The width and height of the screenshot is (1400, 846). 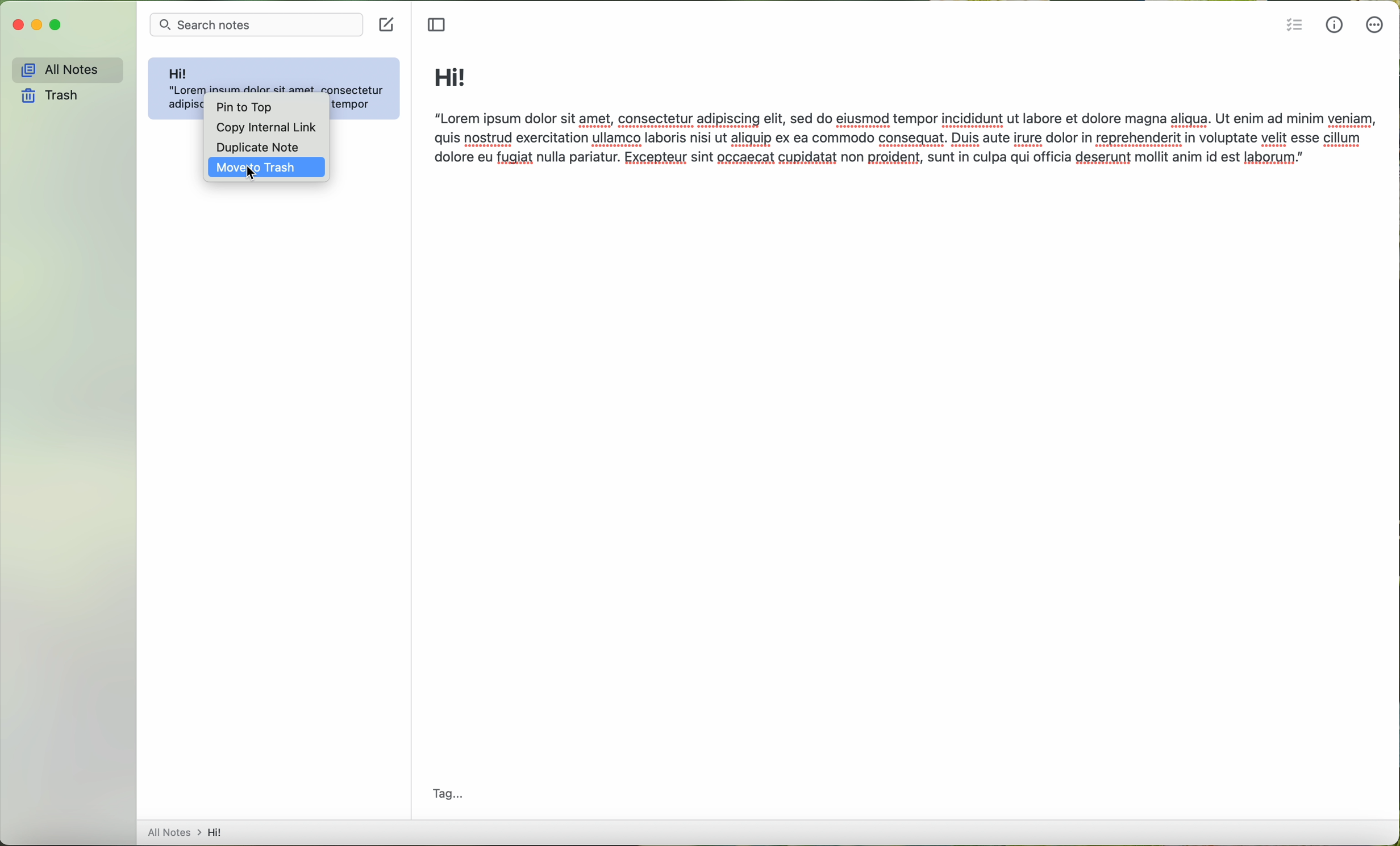 What do you see at coordinates (386, 26) in the screenshot?
I see `new note` at bounding box center [386, 26].